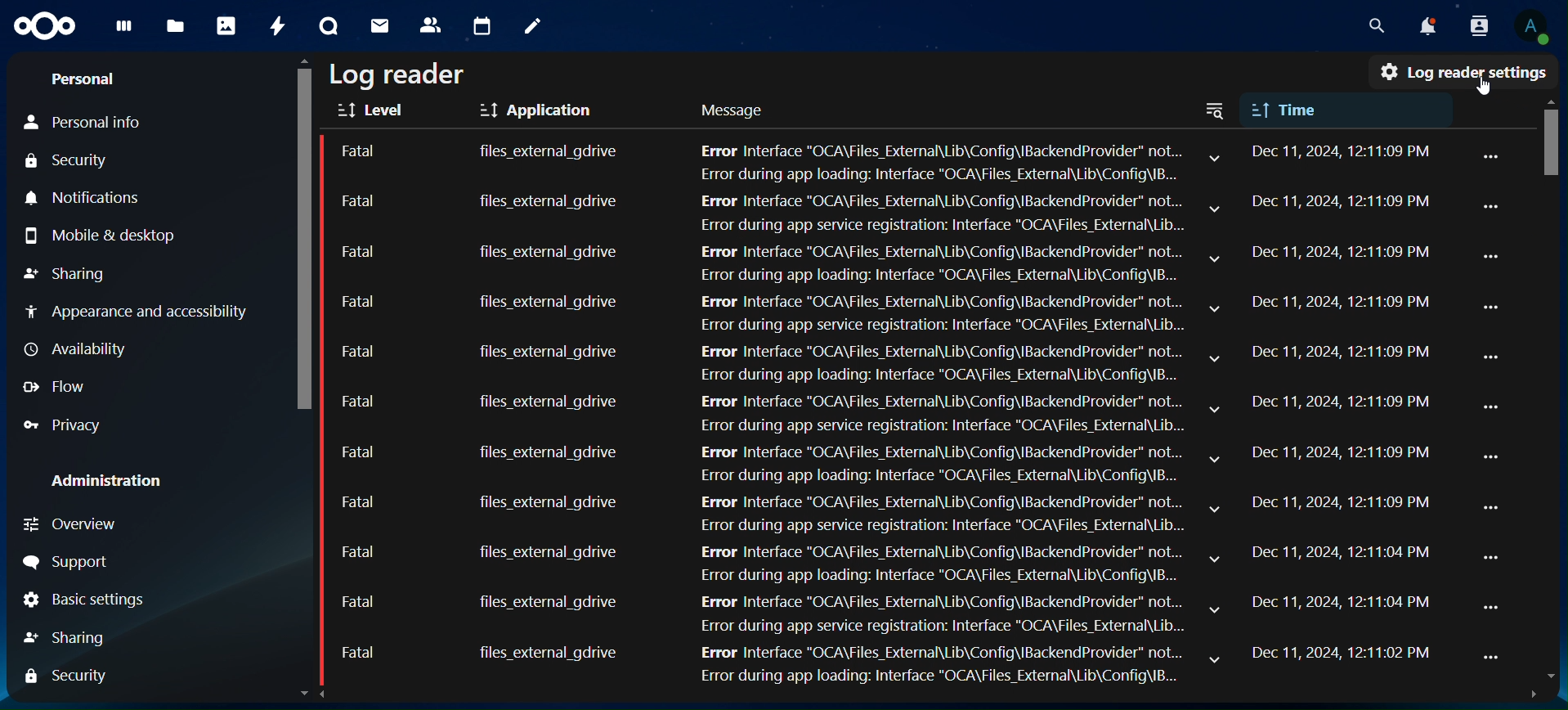 The image size is (1568, 710). Describe the element at coordinates (885, 513) in the screenshot. I see `information about log level, application, it's message and time details` at that location.